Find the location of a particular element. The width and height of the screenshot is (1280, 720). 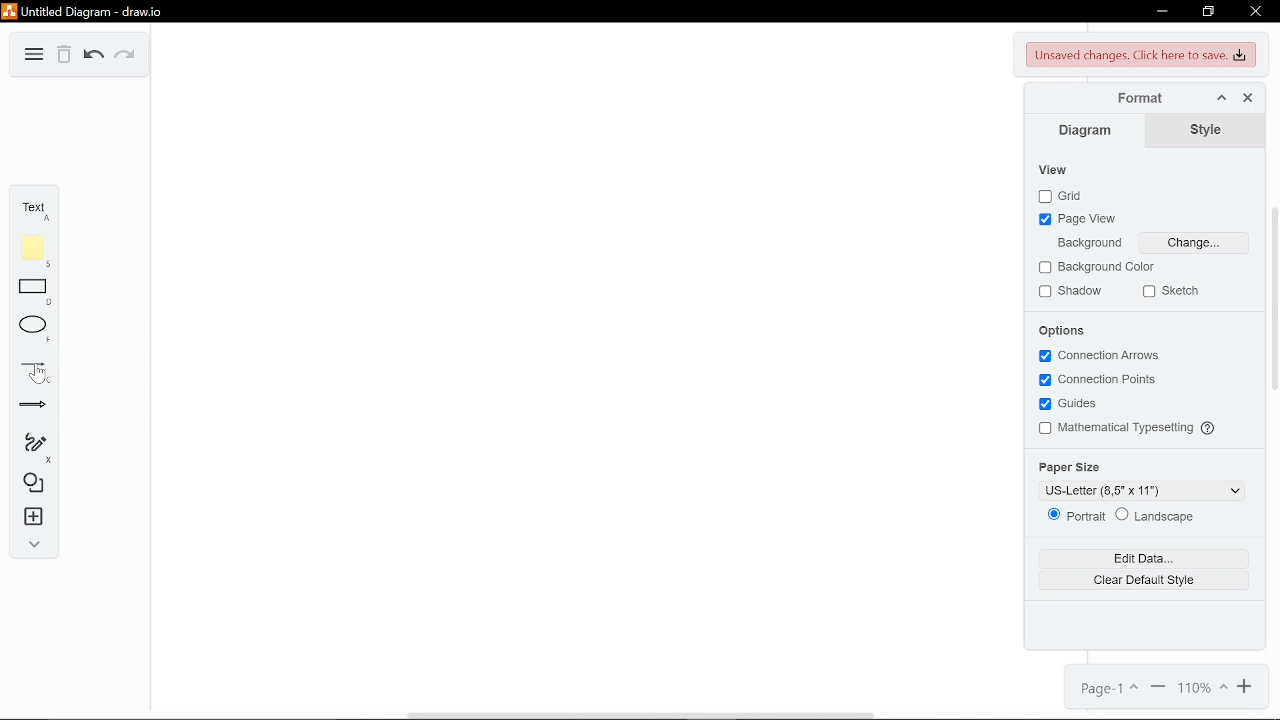

Close is located at coordinates (1256, 13).